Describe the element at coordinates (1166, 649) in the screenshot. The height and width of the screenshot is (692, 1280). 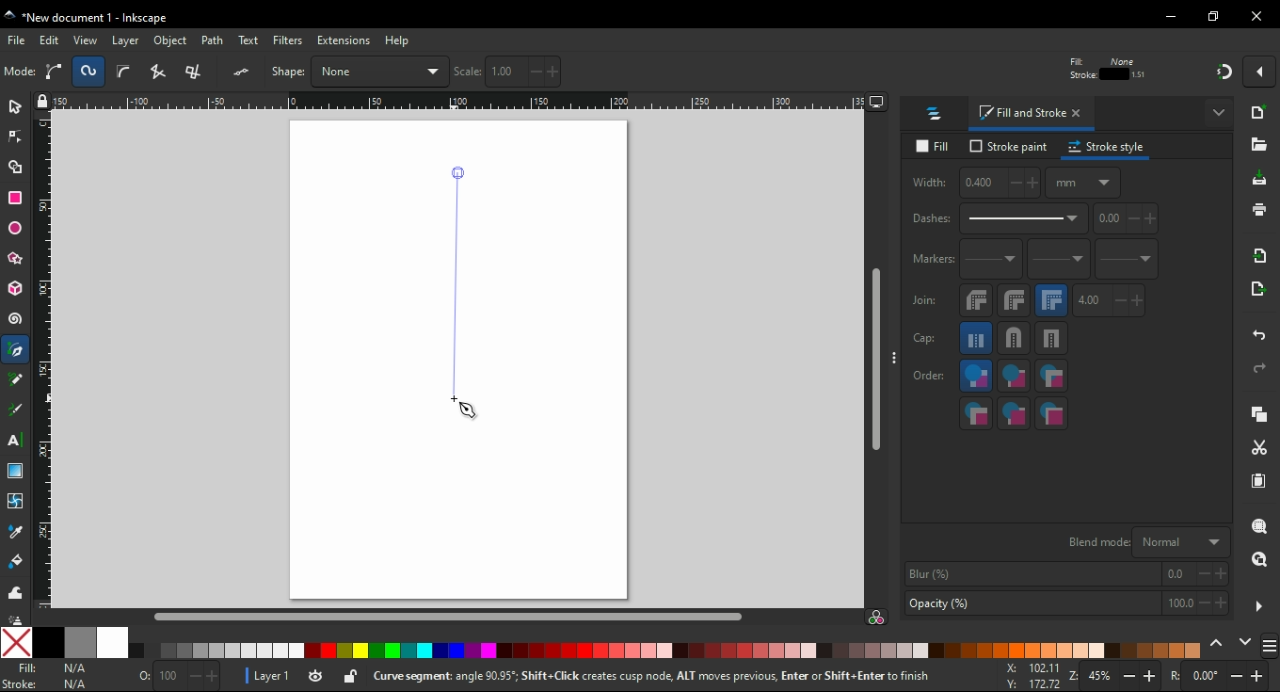
I see `color tone pallete` at that location.